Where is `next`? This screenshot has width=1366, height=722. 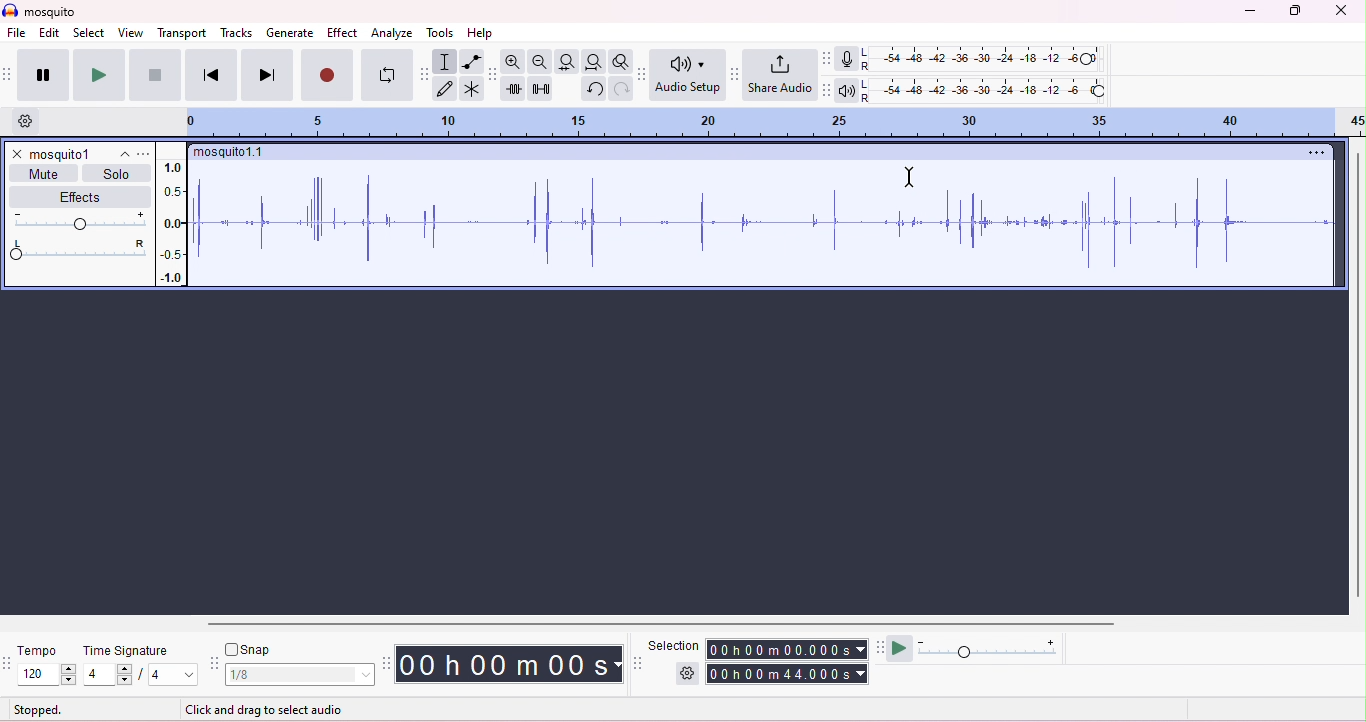
next is located at coordinates (267, 74).